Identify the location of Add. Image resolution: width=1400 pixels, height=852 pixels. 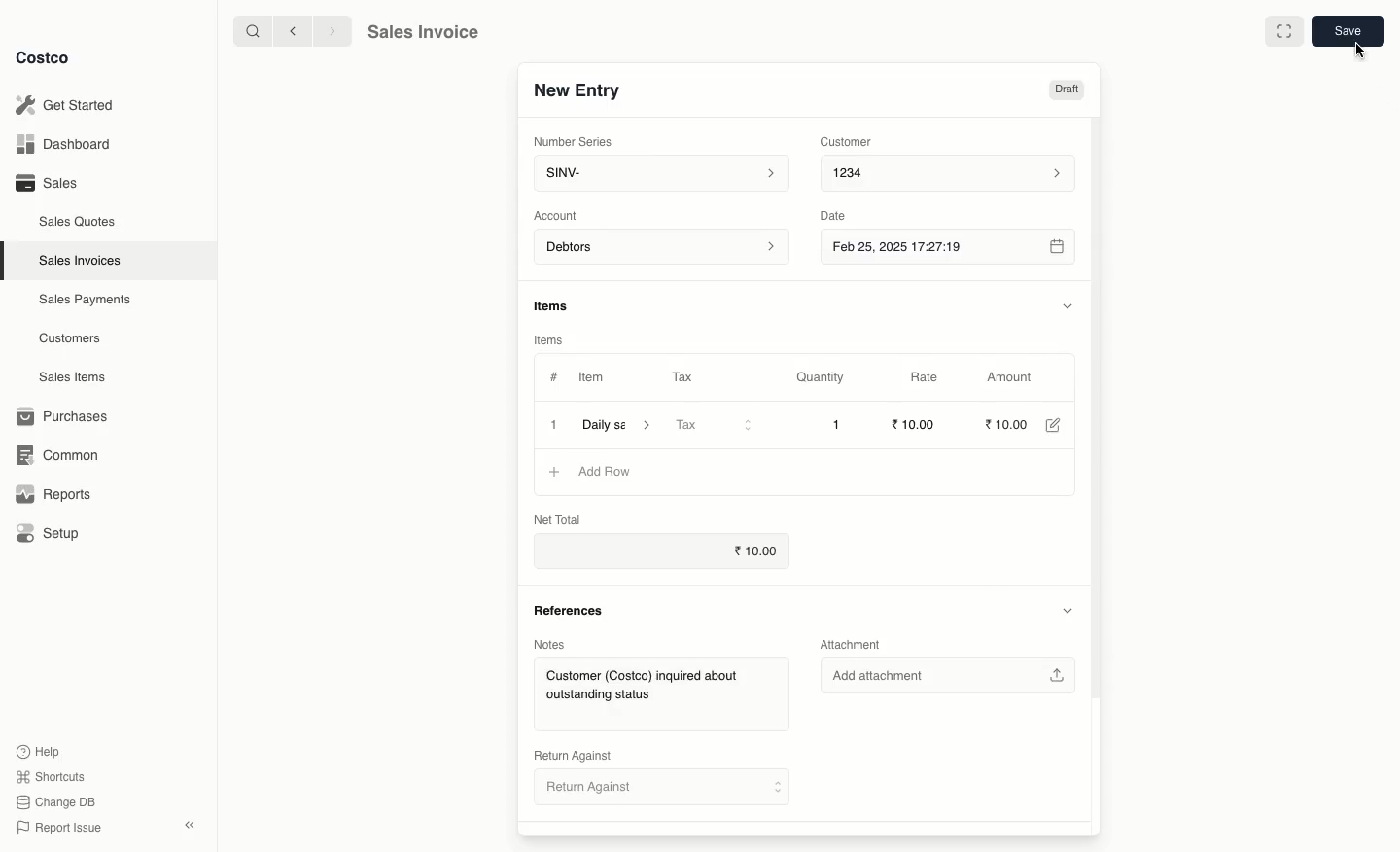
(556, 472).